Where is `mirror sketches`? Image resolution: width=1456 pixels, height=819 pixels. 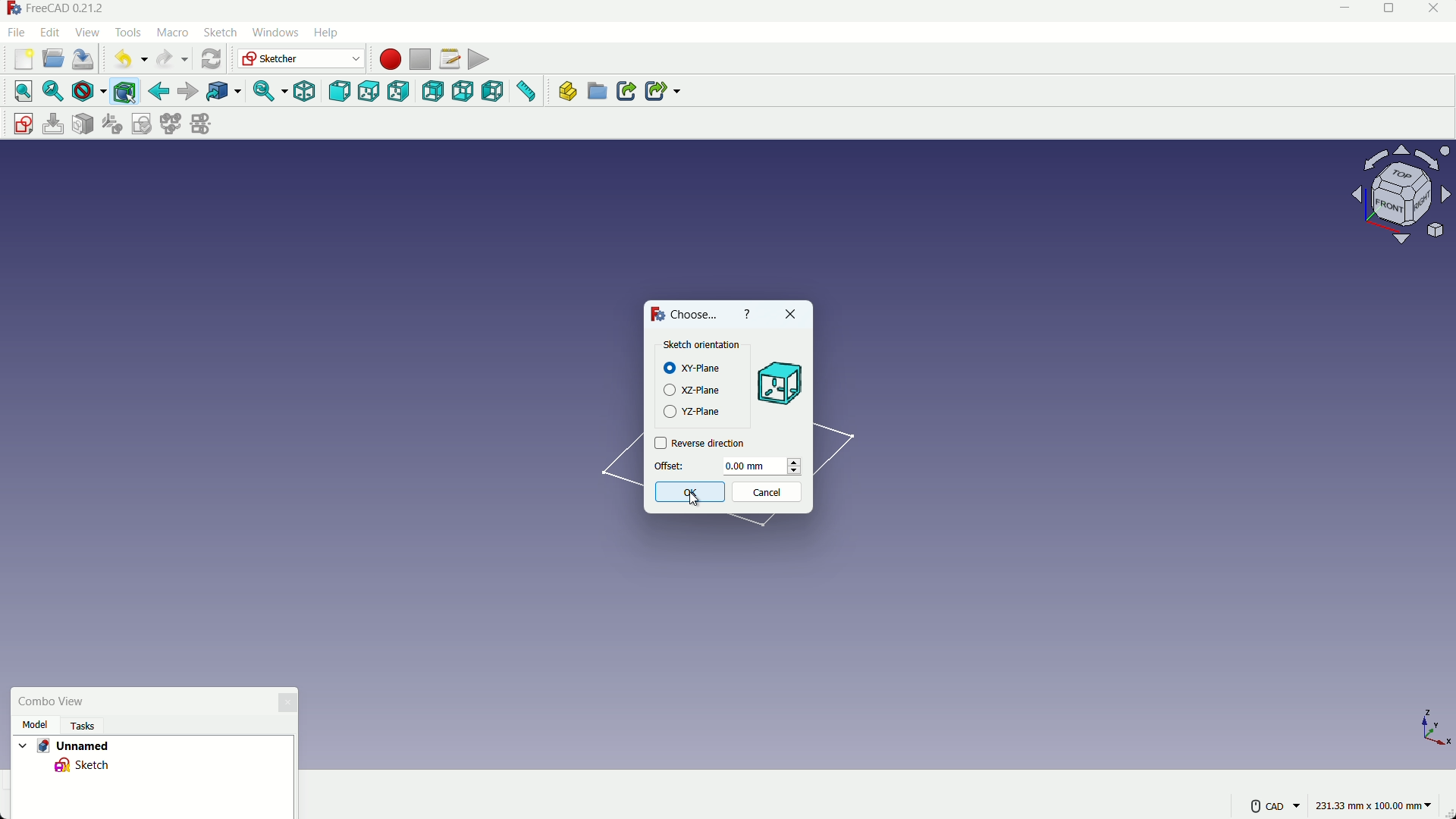 mirror sketches is located at coordinates (198, 122).